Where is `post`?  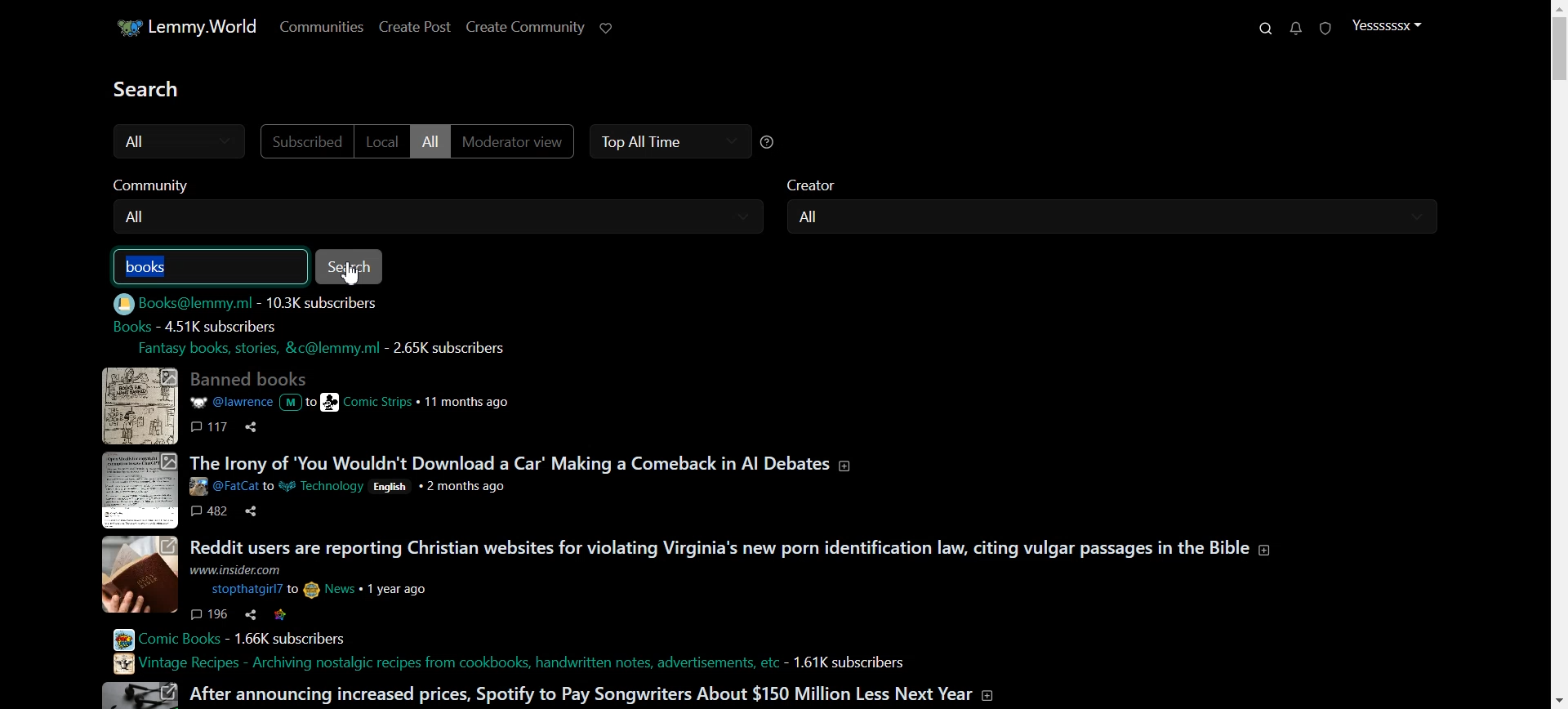 post is located at coordinates (524, 462).